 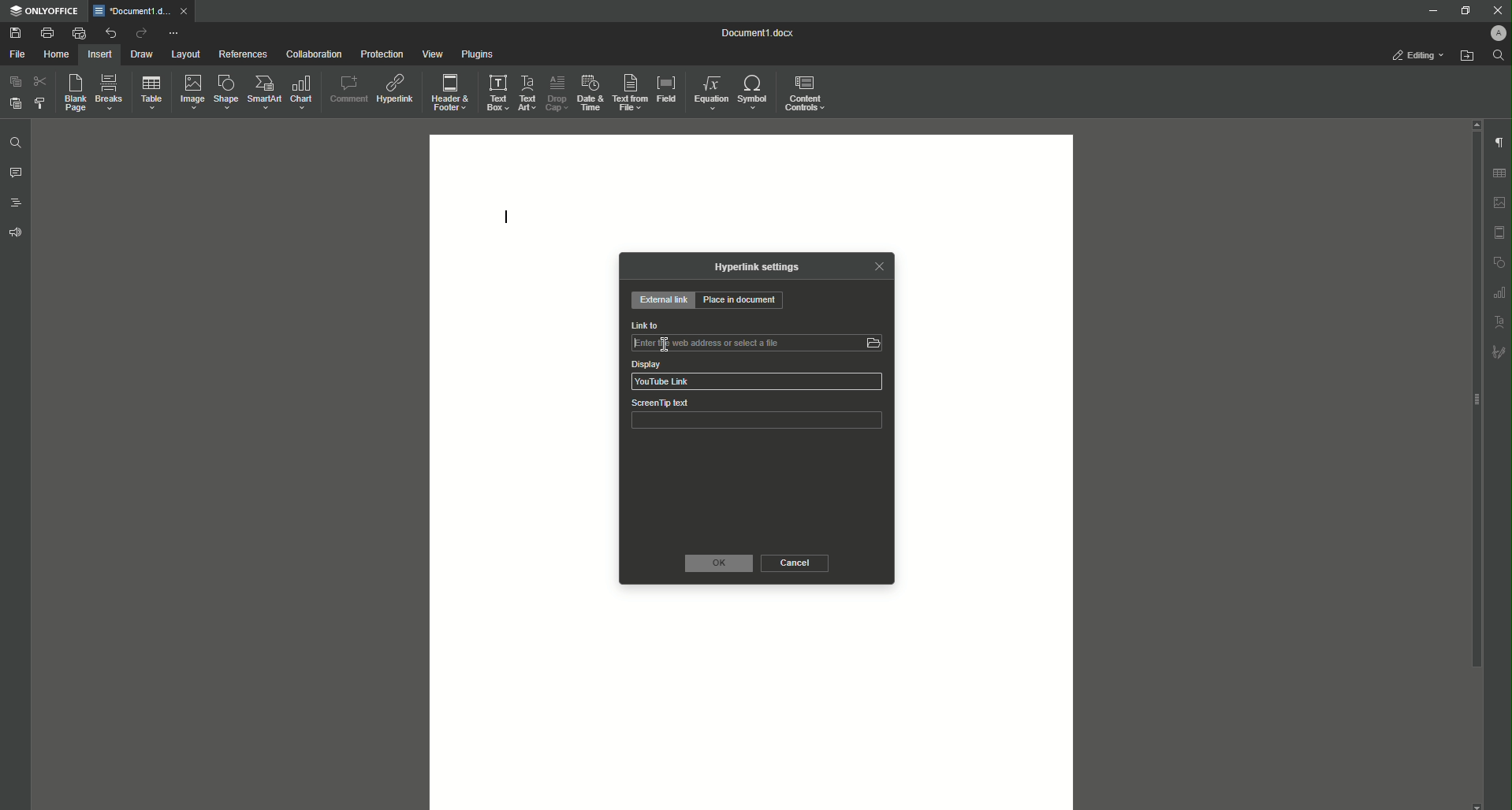 What do you see at coordinates (47, 32) in the screenshot?
I see `Print` at bounding box center [47, 32].